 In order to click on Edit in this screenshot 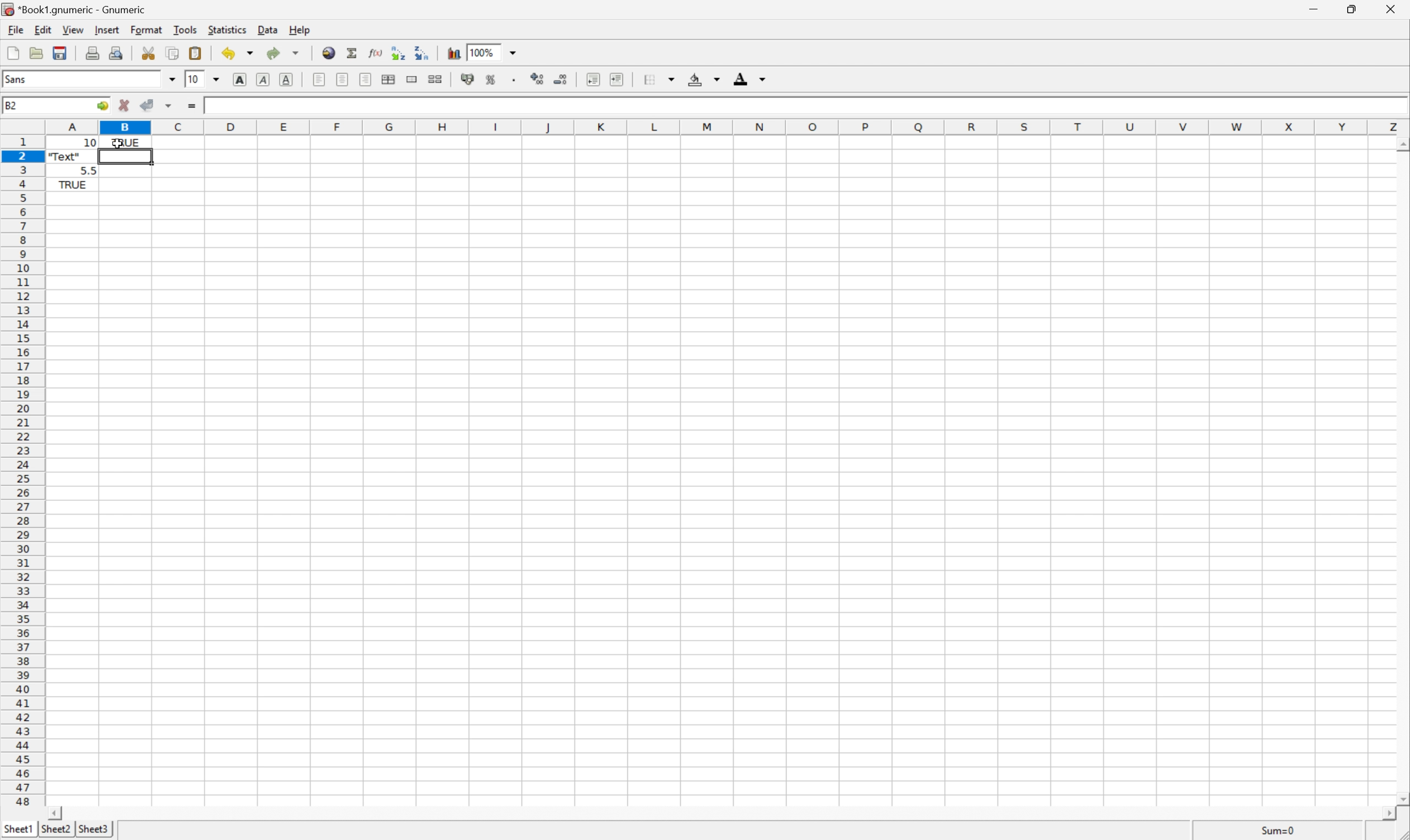, I will do `click(42, 29)`.